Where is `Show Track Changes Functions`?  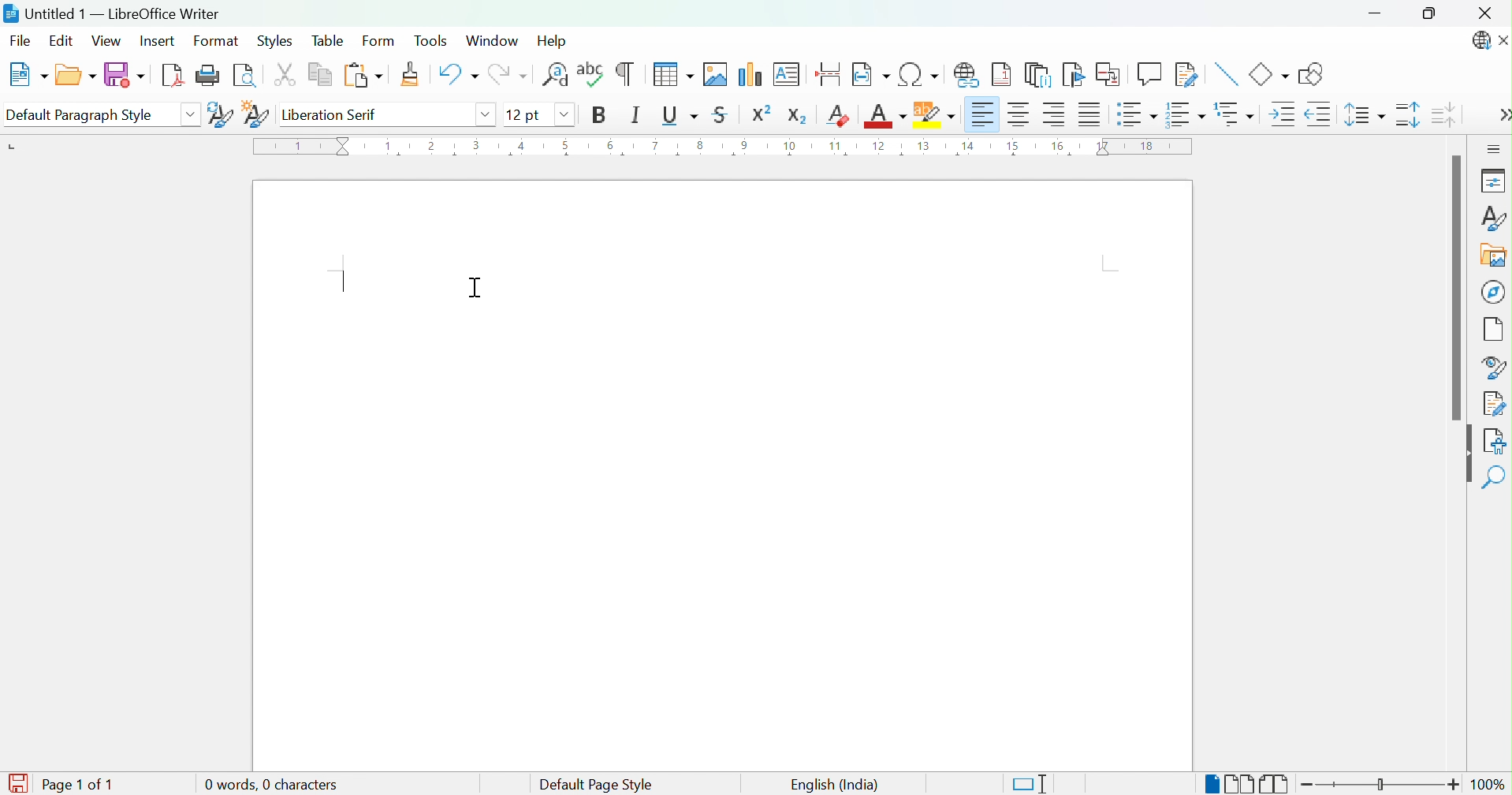
Show Track Changes Functions is located at coordinates (1187, 75).